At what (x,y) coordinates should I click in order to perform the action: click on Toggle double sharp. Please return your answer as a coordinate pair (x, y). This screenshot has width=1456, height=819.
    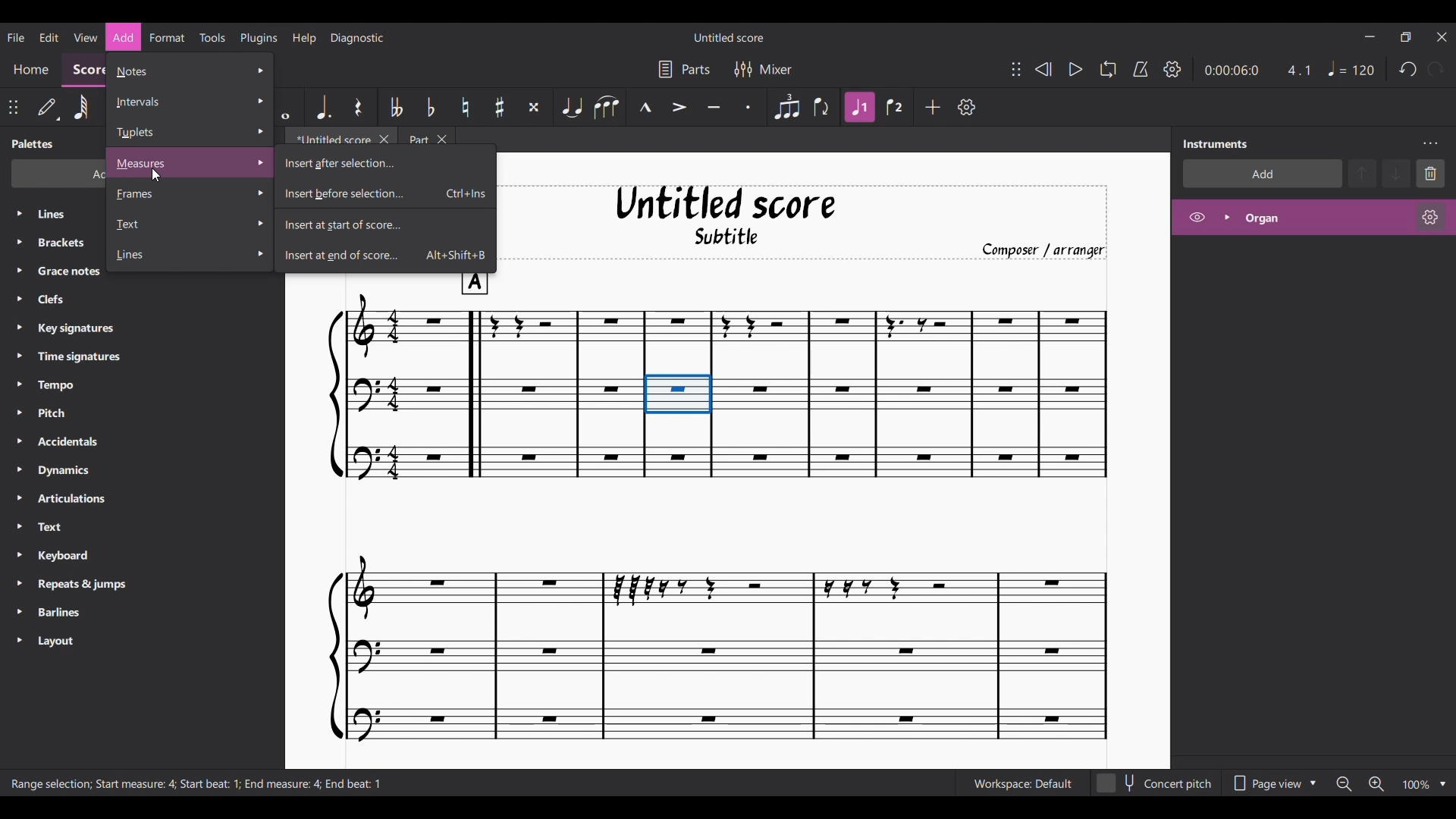
    Looking at the image, I should click on (534, 107).